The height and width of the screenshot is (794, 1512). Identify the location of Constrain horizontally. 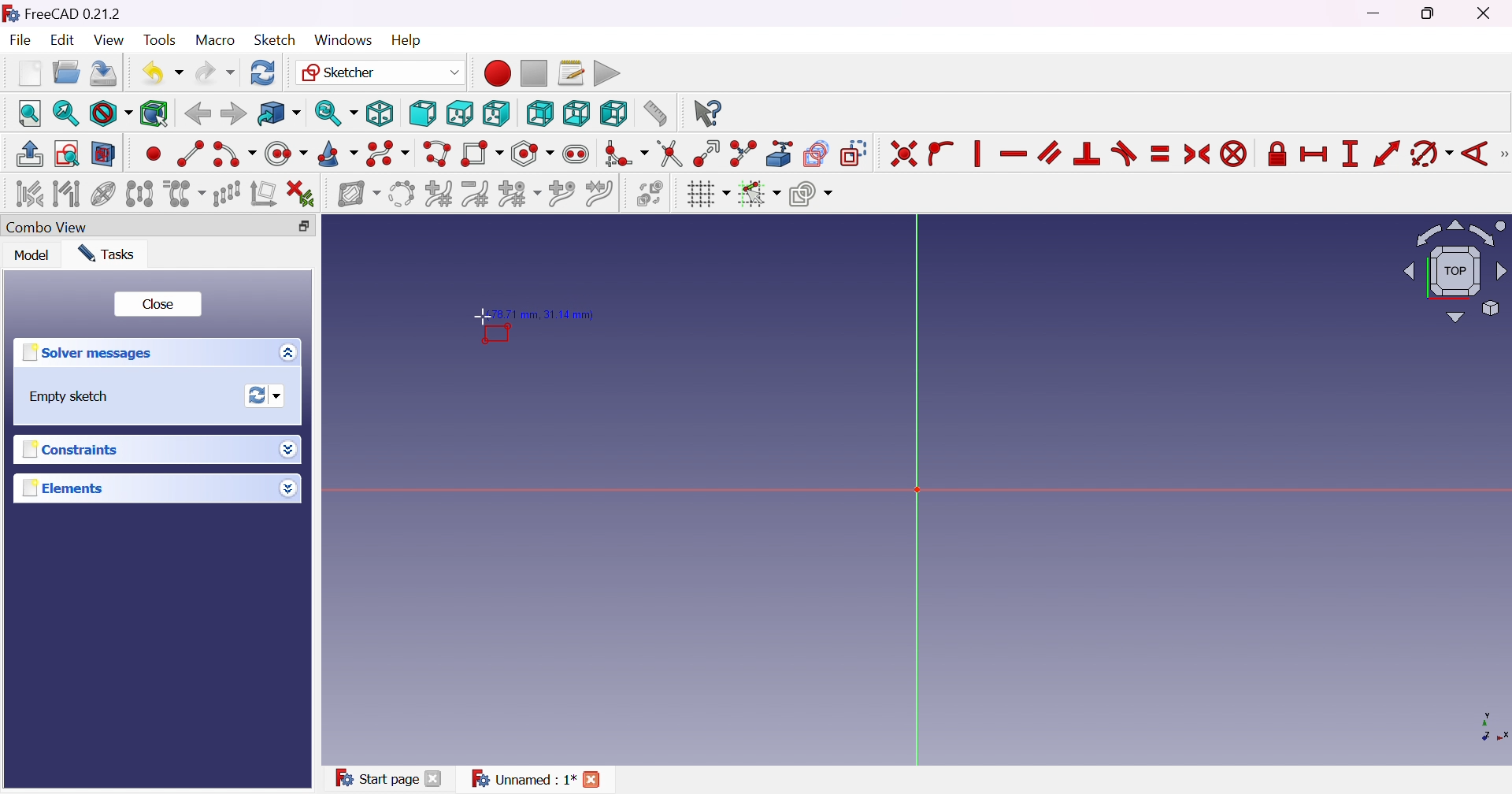
(1014, 154).